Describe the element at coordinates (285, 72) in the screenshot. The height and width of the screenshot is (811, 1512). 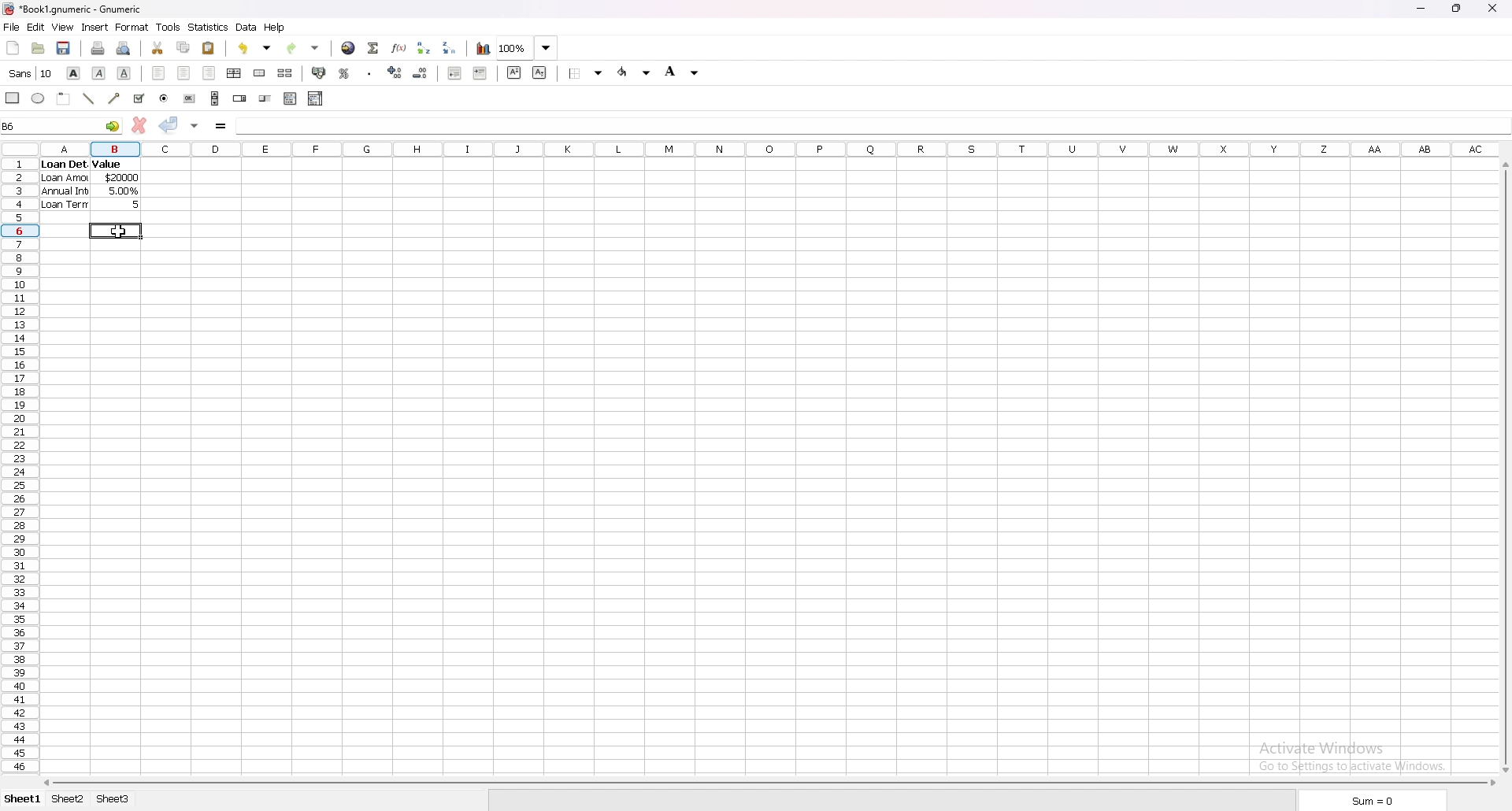
I see `split merged cells` at that location.